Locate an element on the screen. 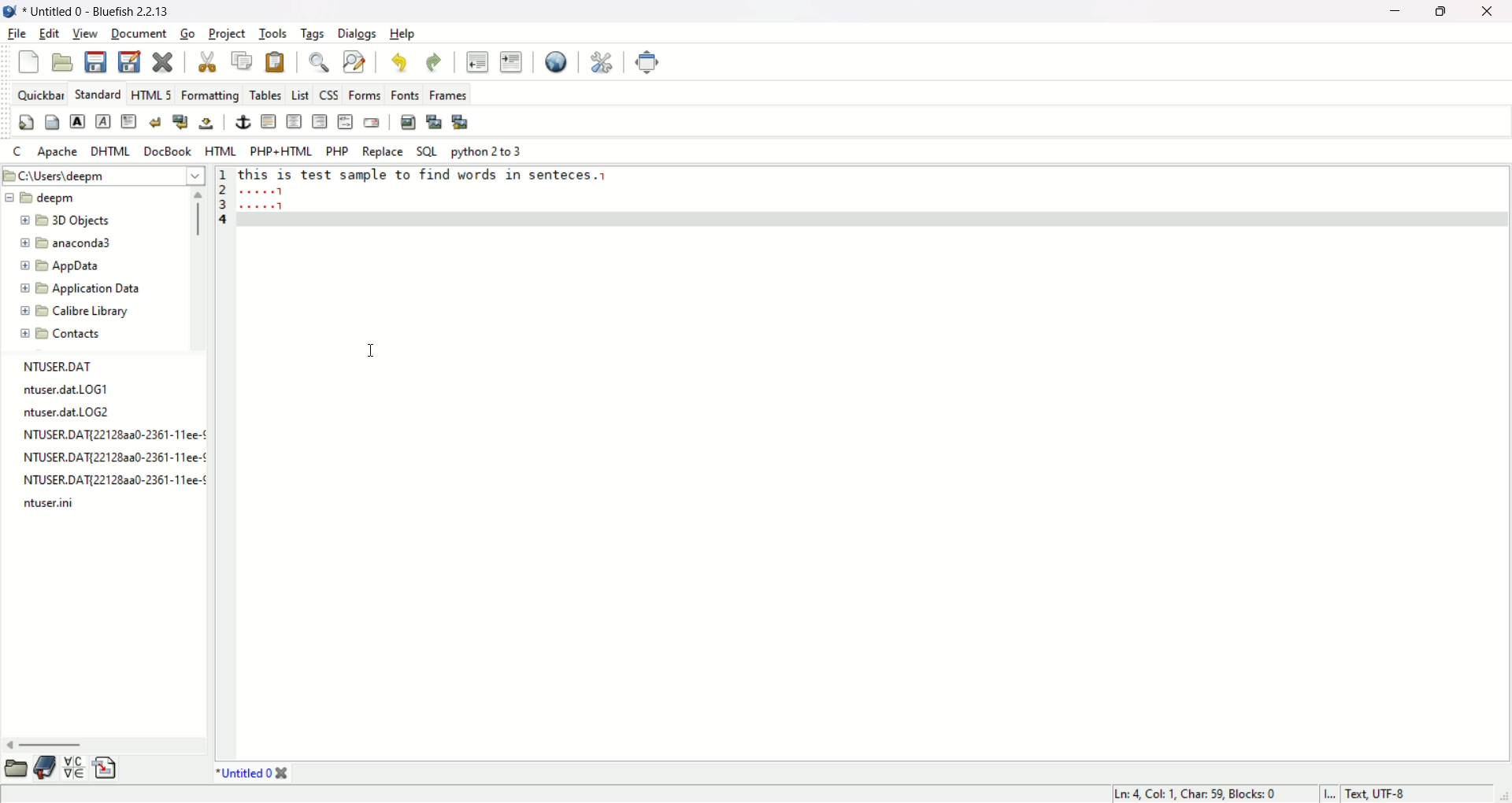 Image resolution: width=1512 pixels, height=803 pixels. close is located at coordinates (1488, 12).